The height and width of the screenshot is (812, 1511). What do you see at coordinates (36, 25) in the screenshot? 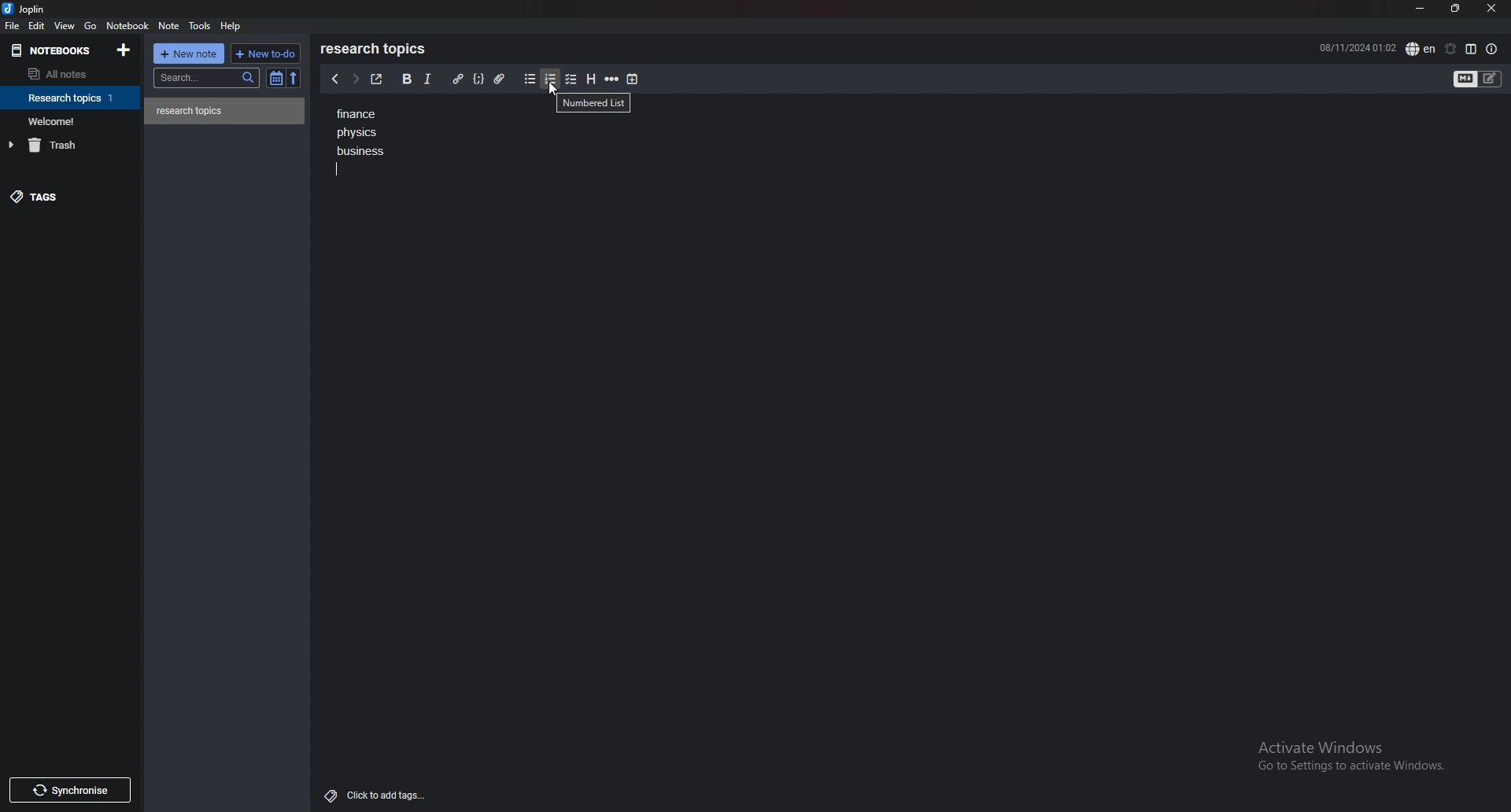
I see `edit` at bounding box center [36, 25].